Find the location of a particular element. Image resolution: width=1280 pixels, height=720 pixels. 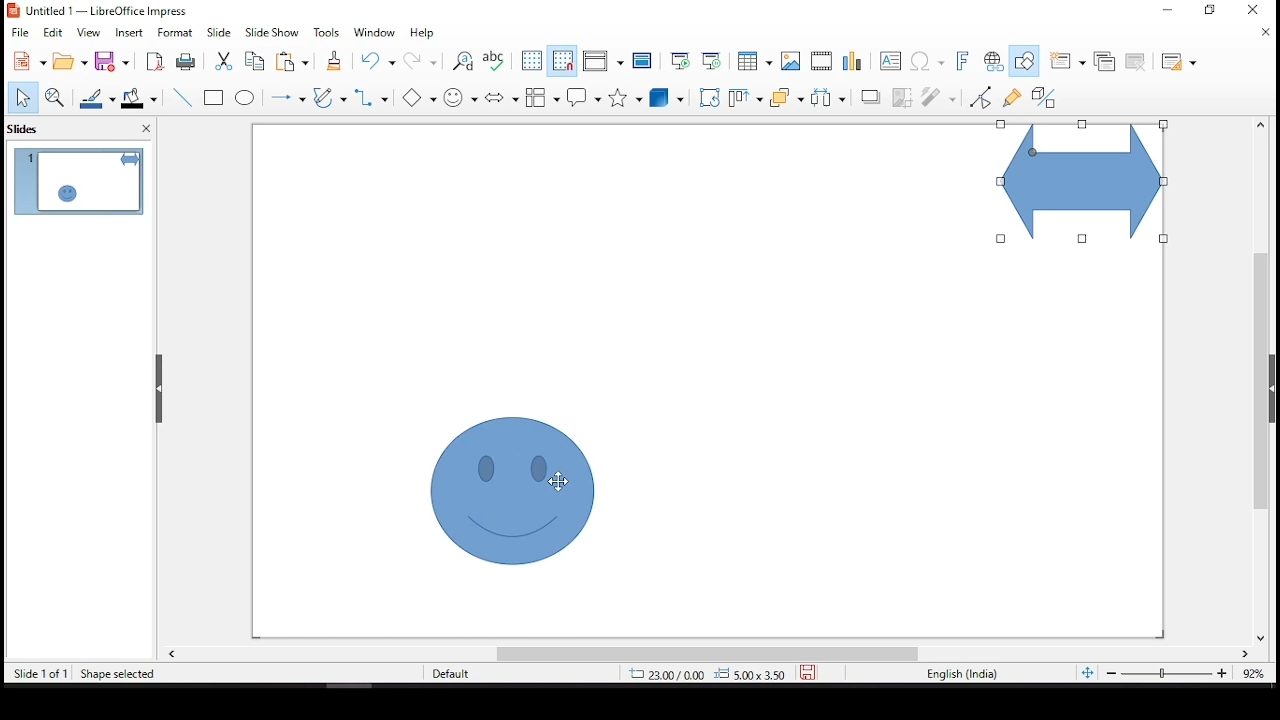

toggle extrusion is located at coordinates (1043, 99).